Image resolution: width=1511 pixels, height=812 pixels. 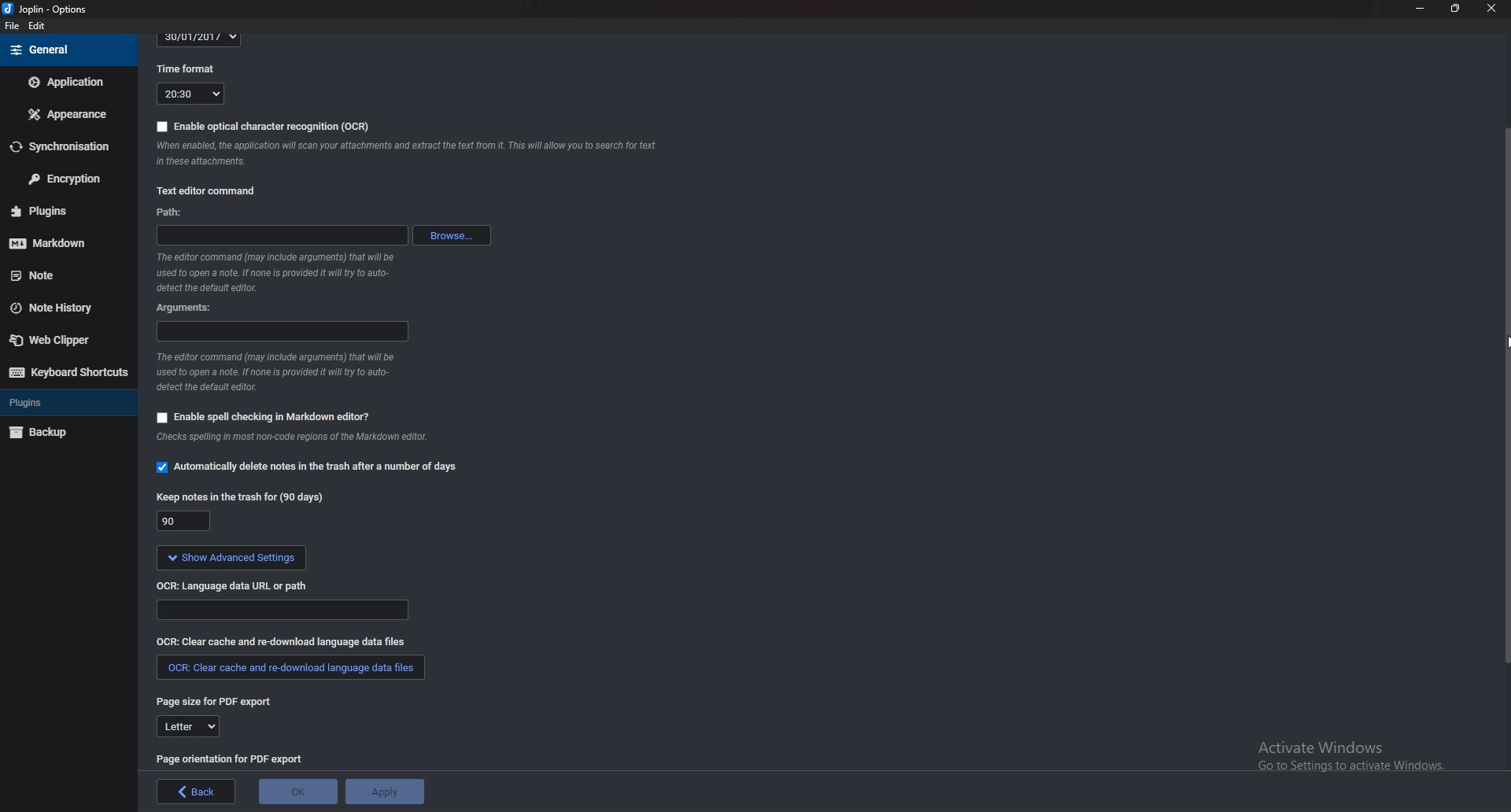 I want to click on Apply, so click(x=385, y=792).